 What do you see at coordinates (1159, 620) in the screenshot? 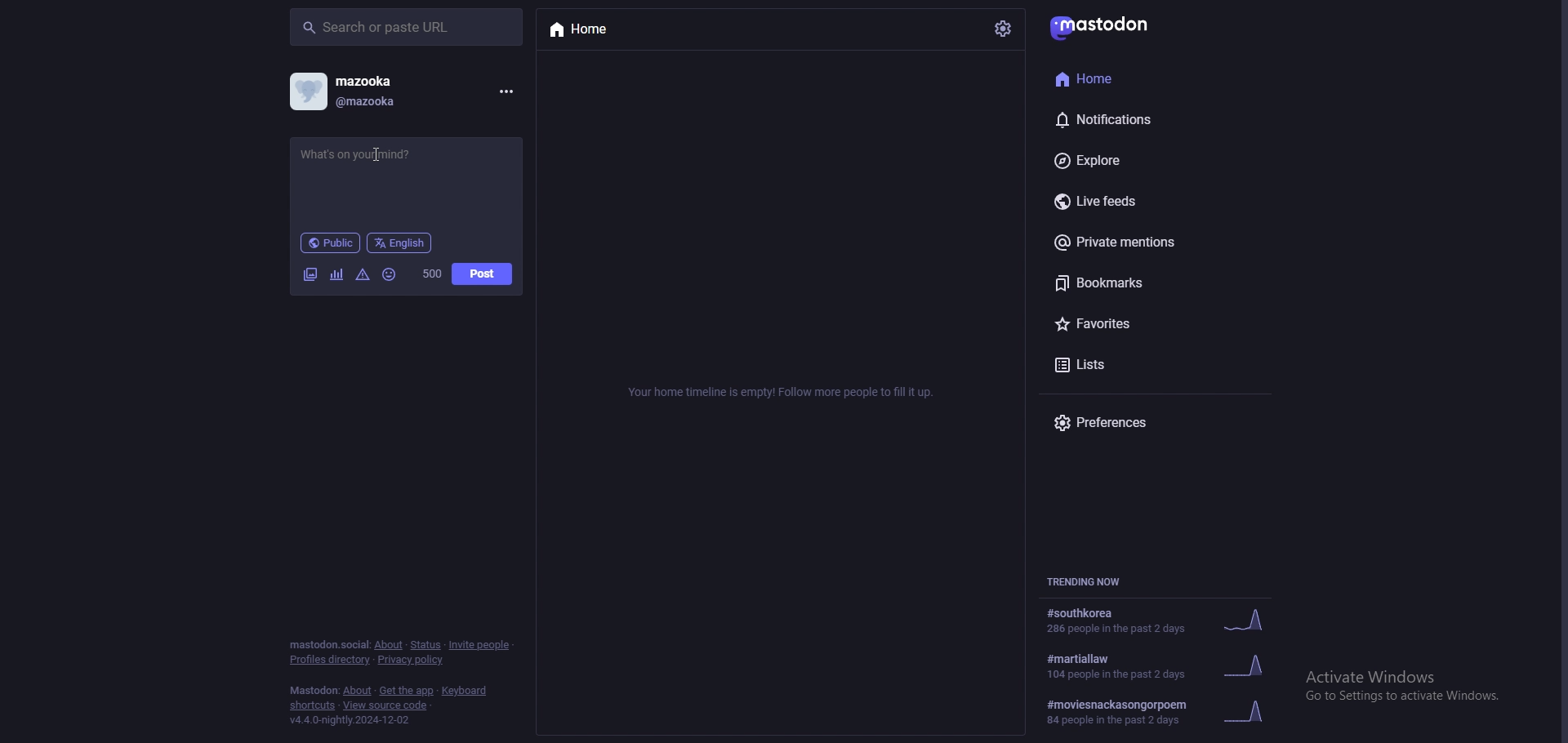
I see `trending` at bounding box center [1159, 620].